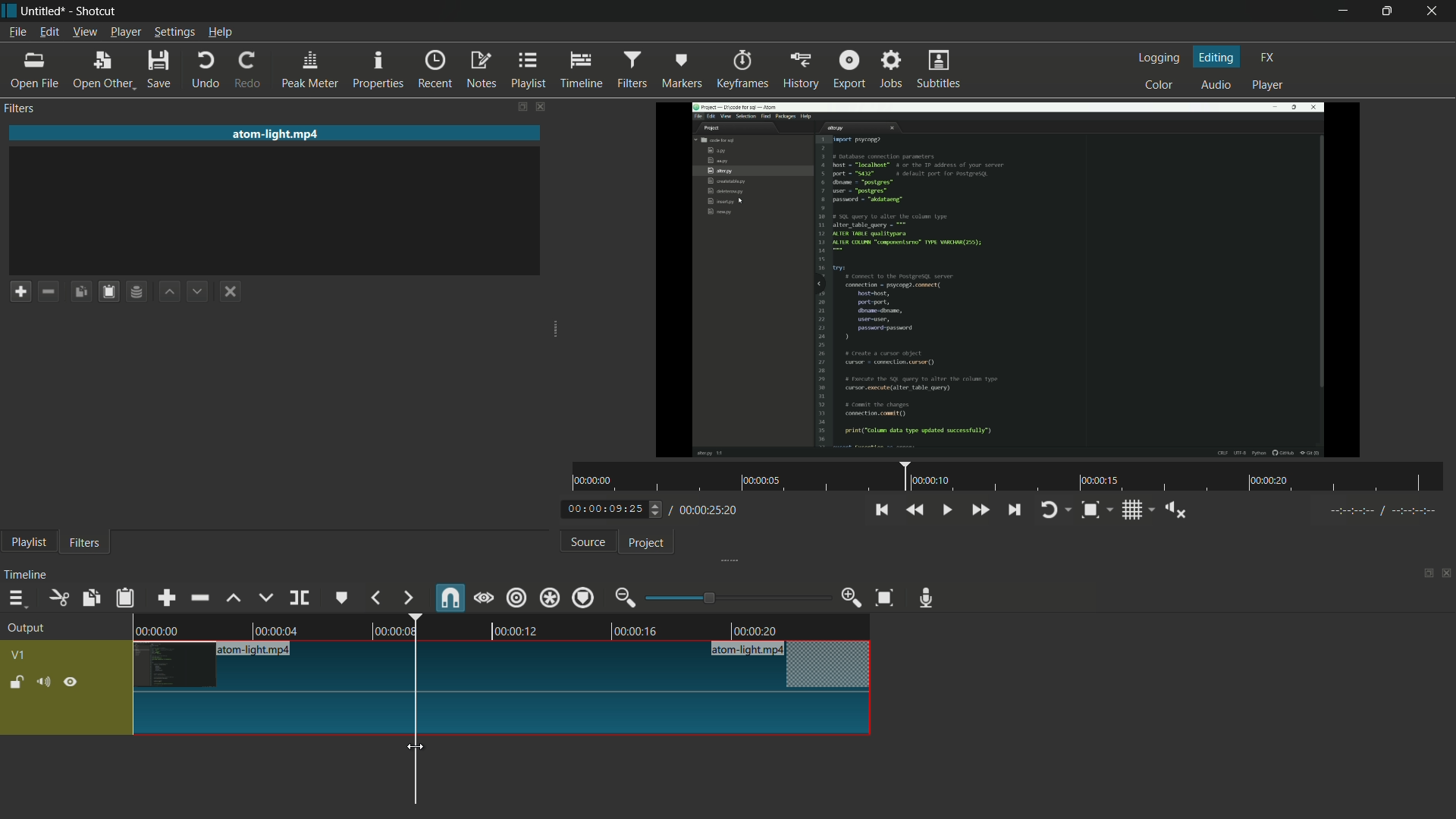 This screenshot has height=819, width=1456. I want to click on current time, so click(610, 510).